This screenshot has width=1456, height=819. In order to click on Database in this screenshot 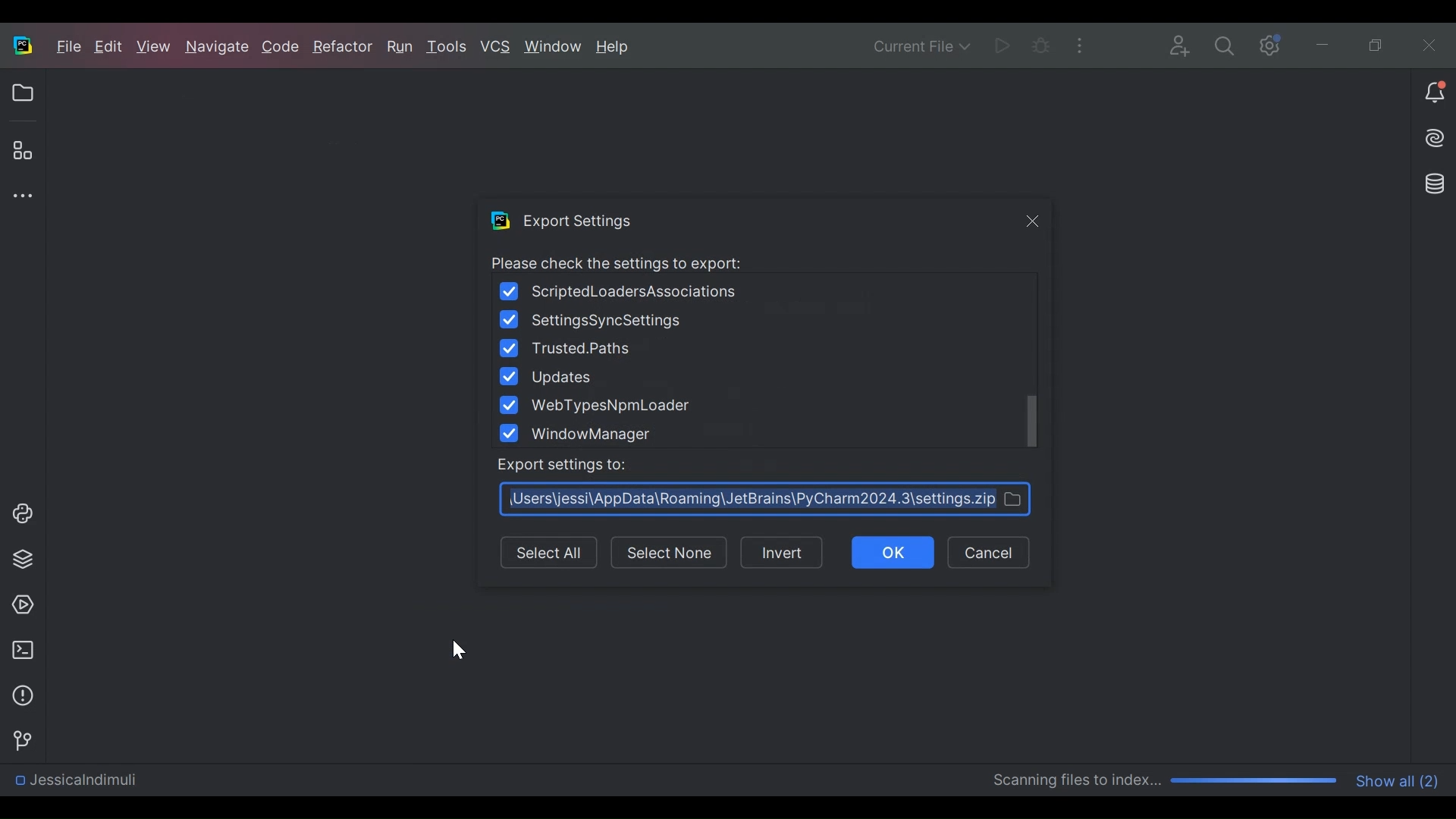, I will do `click(1437, 184)`.